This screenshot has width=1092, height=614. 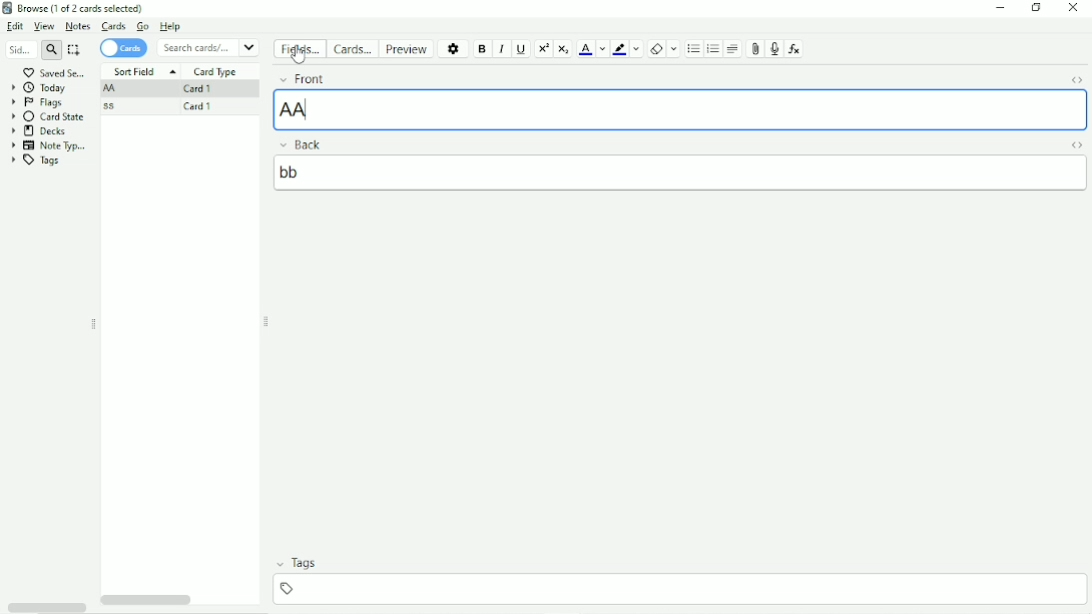 I want to click on Restore down, so click(x=1037, y=9).